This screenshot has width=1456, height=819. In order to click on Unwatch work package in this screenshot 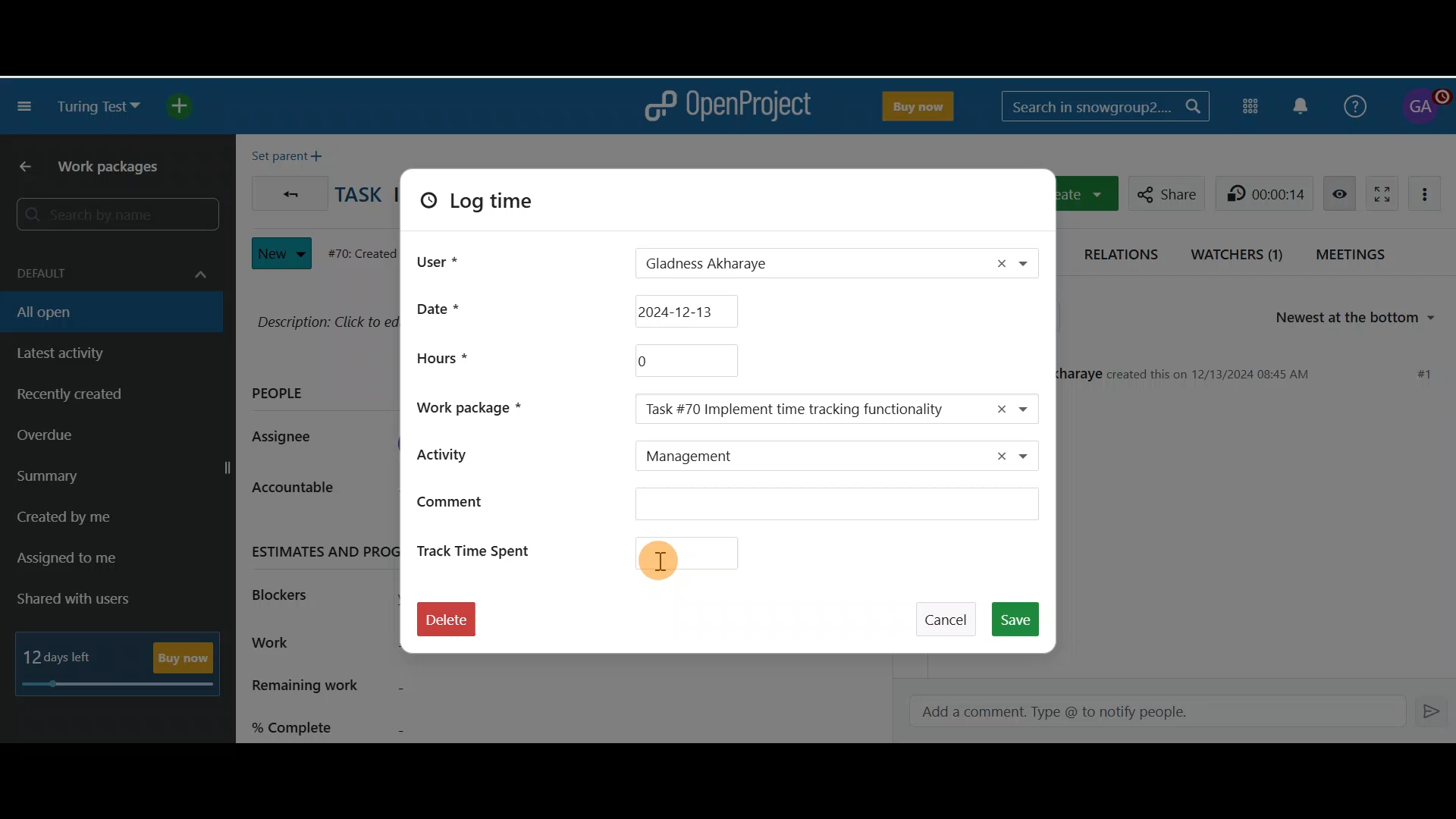, I will do `click(1339, 193)`.